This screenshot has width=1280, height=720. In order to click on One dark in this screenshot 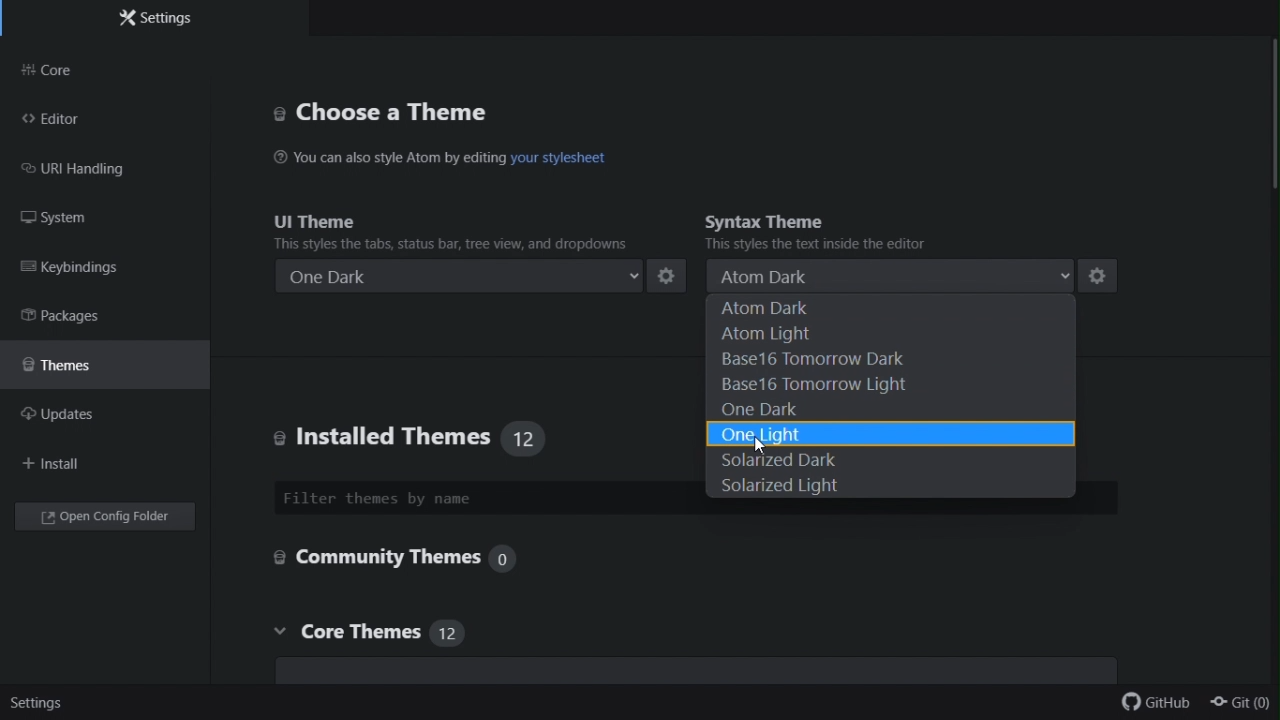, I will do `click(899, 409)`.